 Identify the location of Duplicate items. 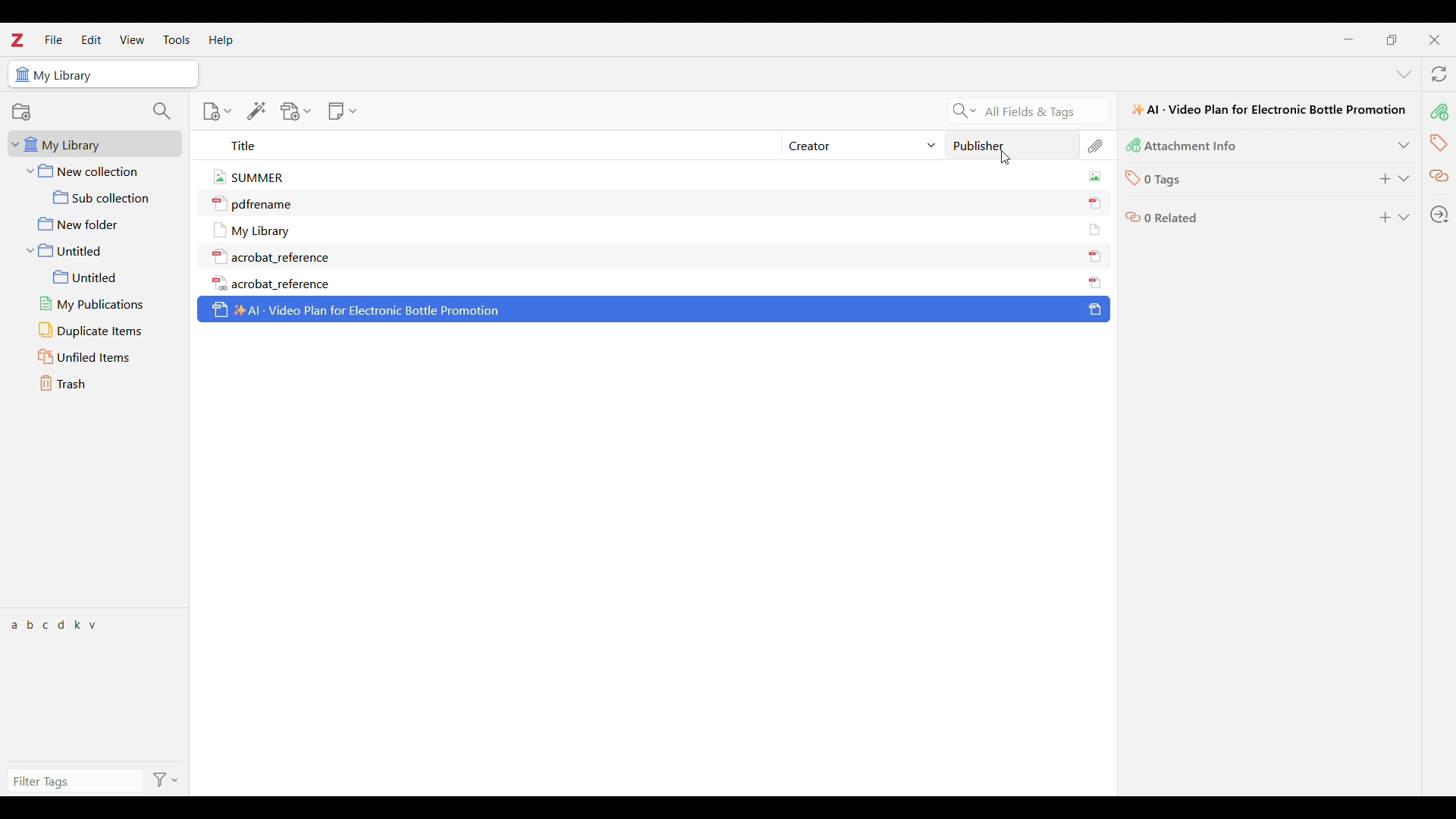
(99, 331).